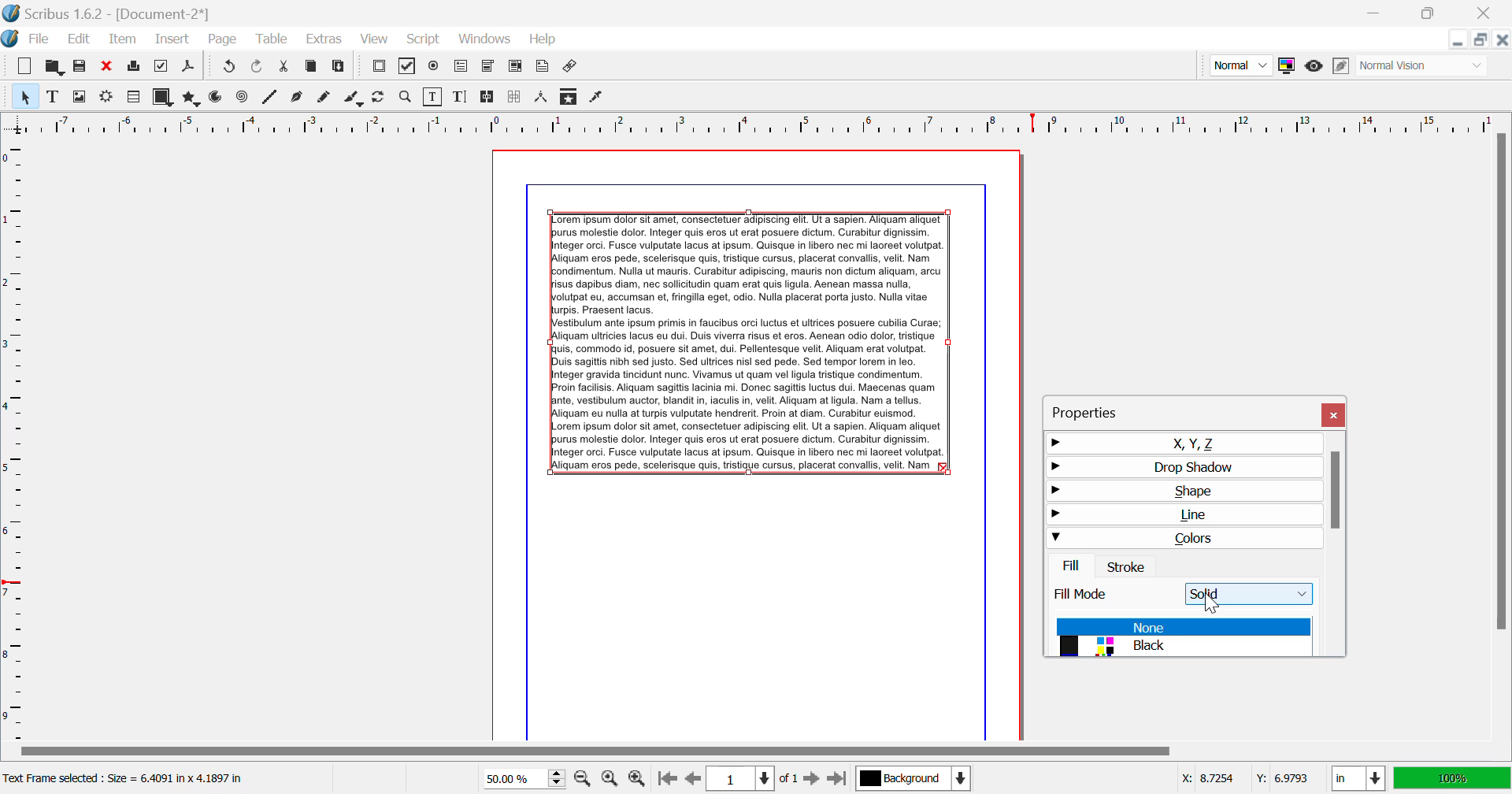 Image resolution: width=1512 pixels, height=794 pixels. I want to click on Fill Mode, so click(1182, 597).